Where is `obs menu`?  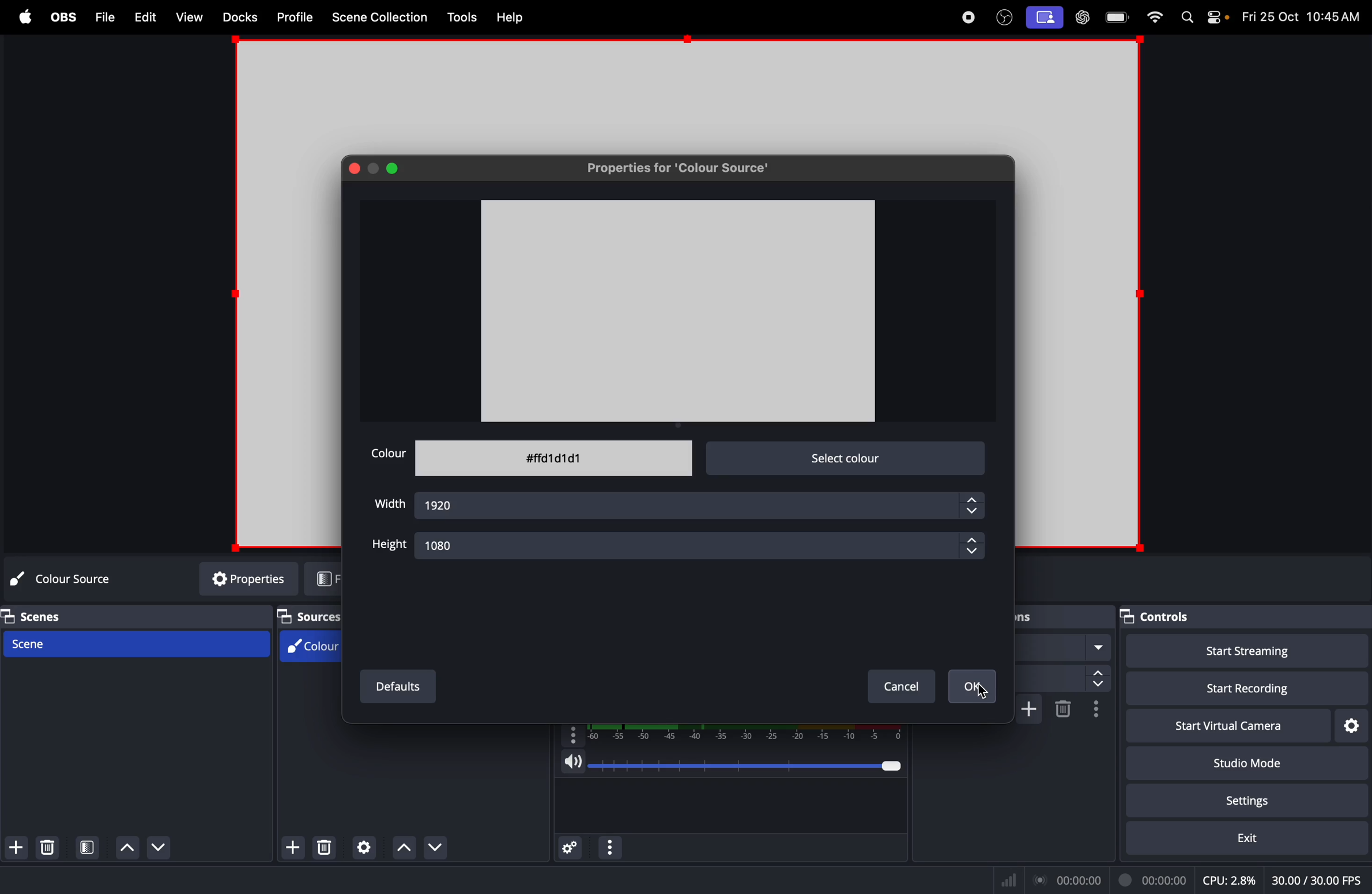
obs menu is located at coordinates (62, 16).